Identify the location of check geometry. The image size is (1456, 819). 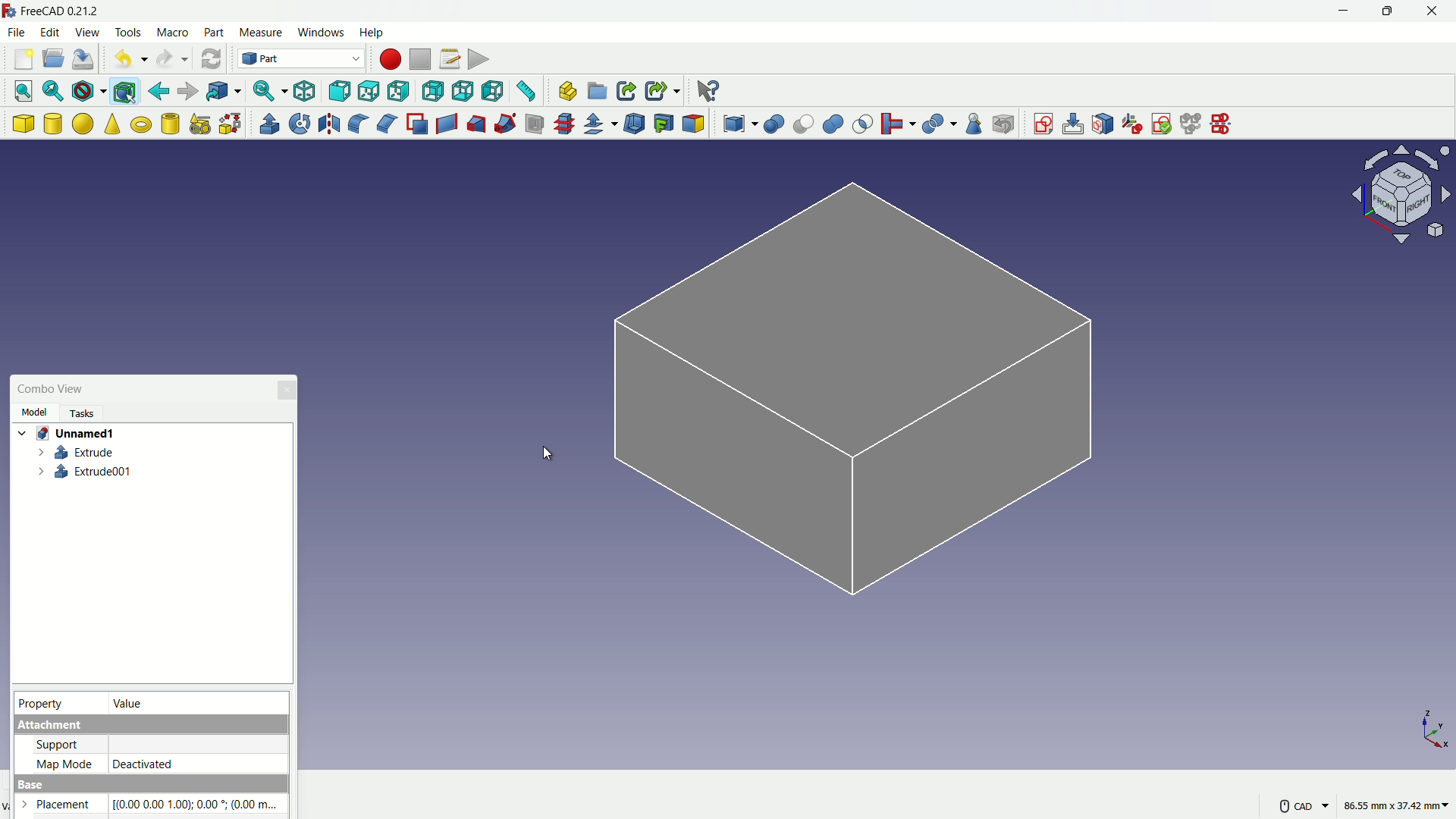
(976, 124).